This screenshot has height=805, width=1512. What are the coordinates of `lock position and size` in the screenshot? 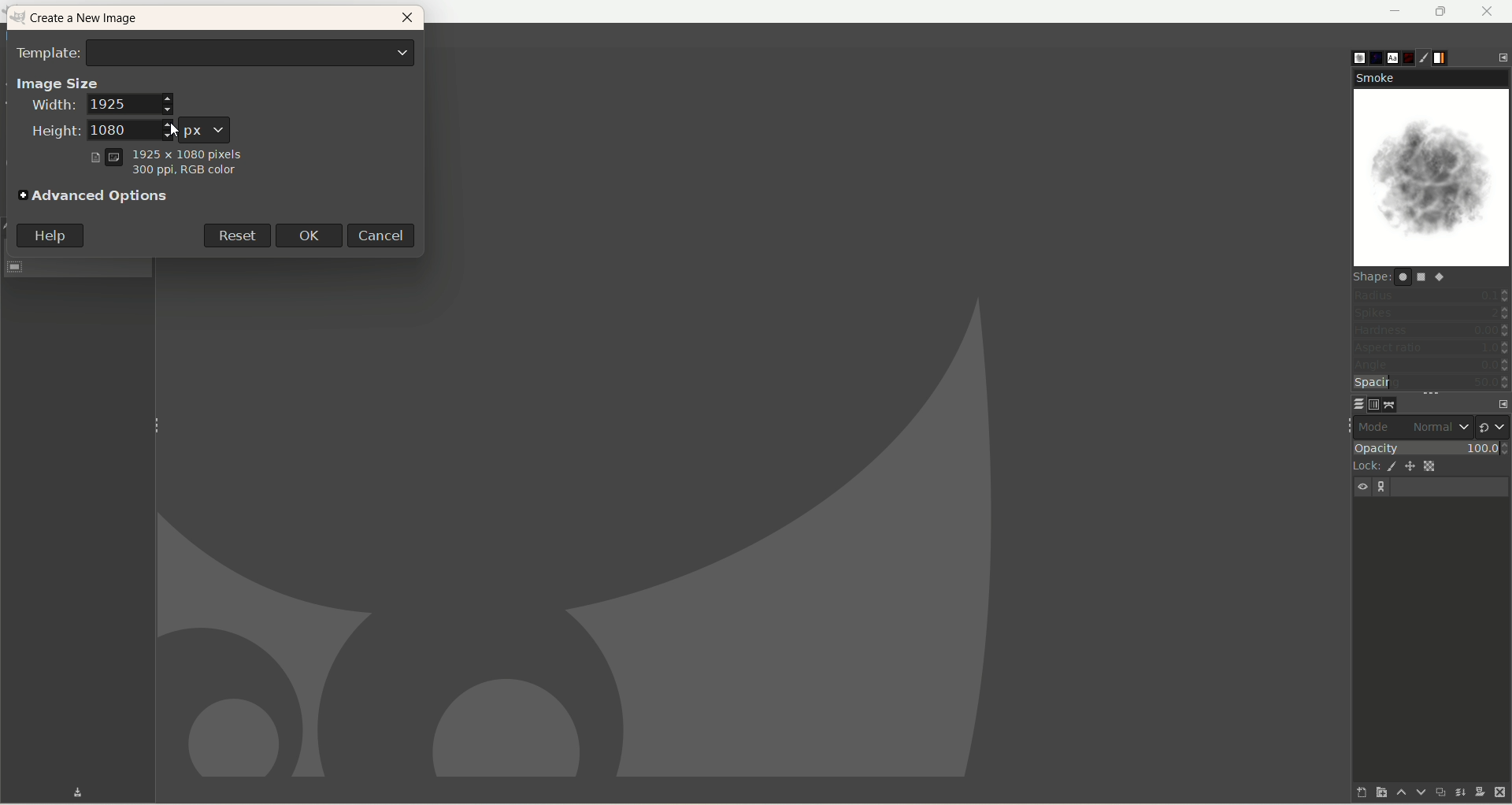 It's located at (1411, 469).